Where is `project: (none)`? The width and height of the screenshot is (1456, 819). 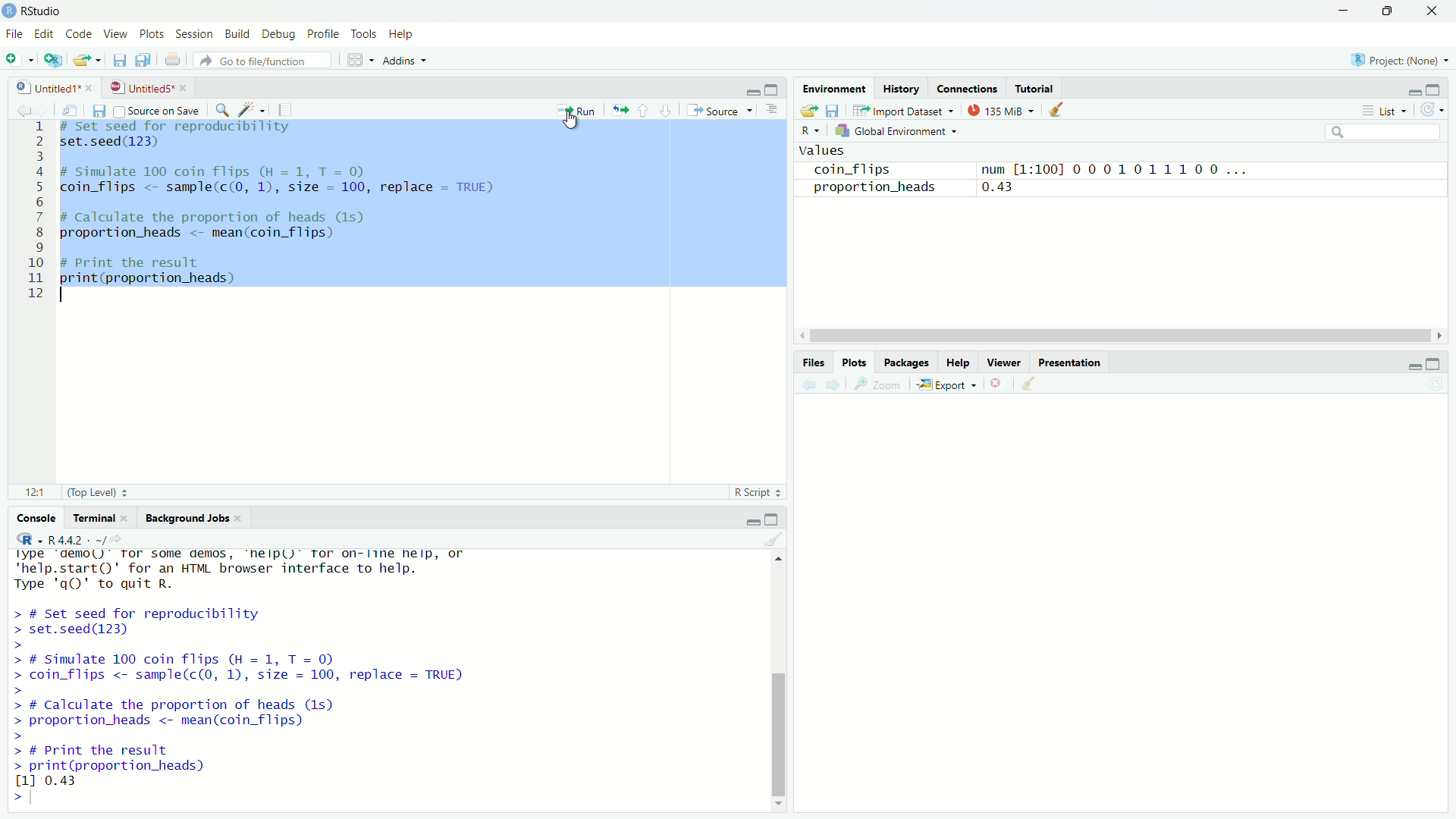 project: (none) is located at coordinates (1403, 60).